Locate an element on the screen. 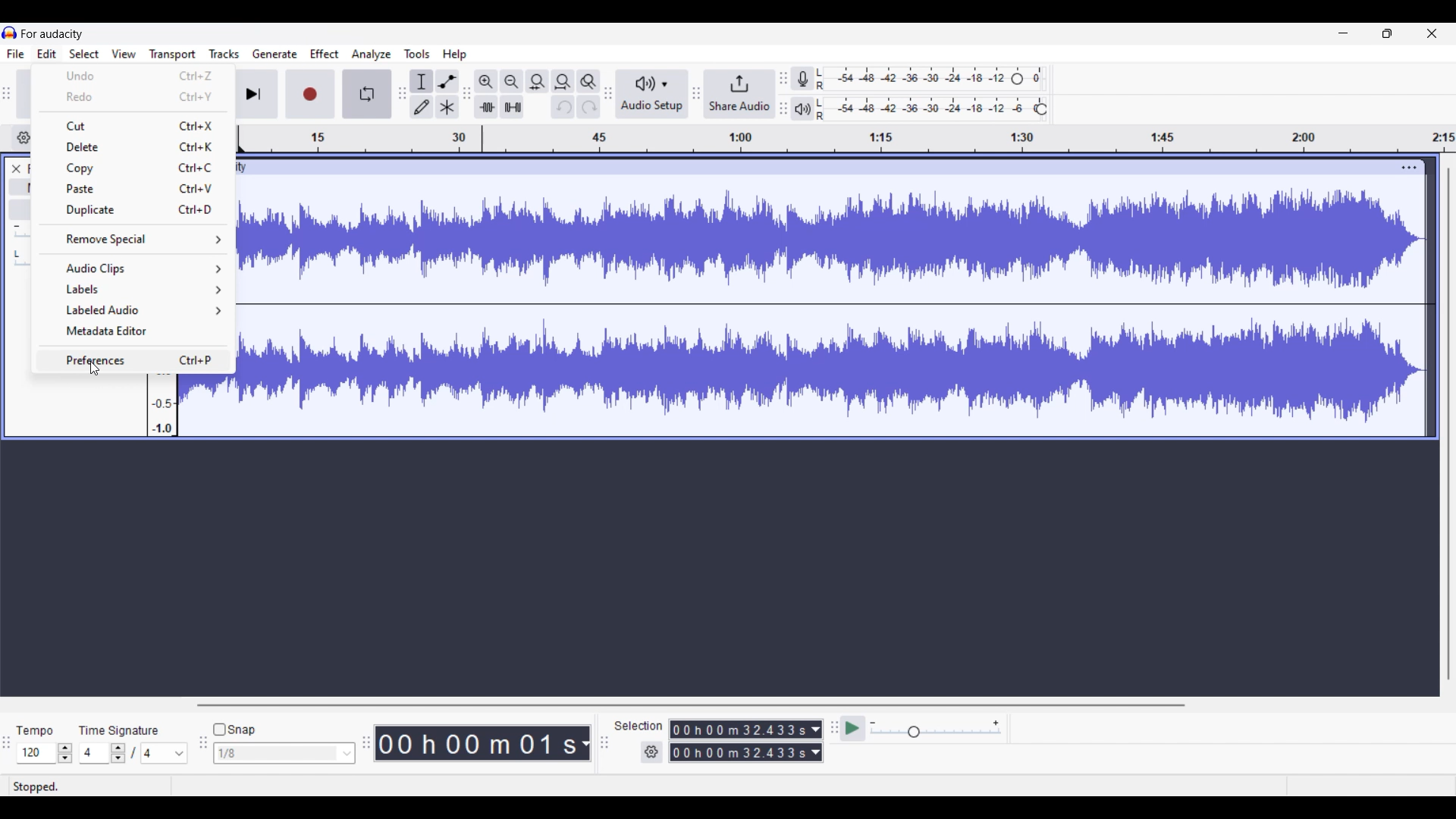  Copy is located at coordinates (133, 168).